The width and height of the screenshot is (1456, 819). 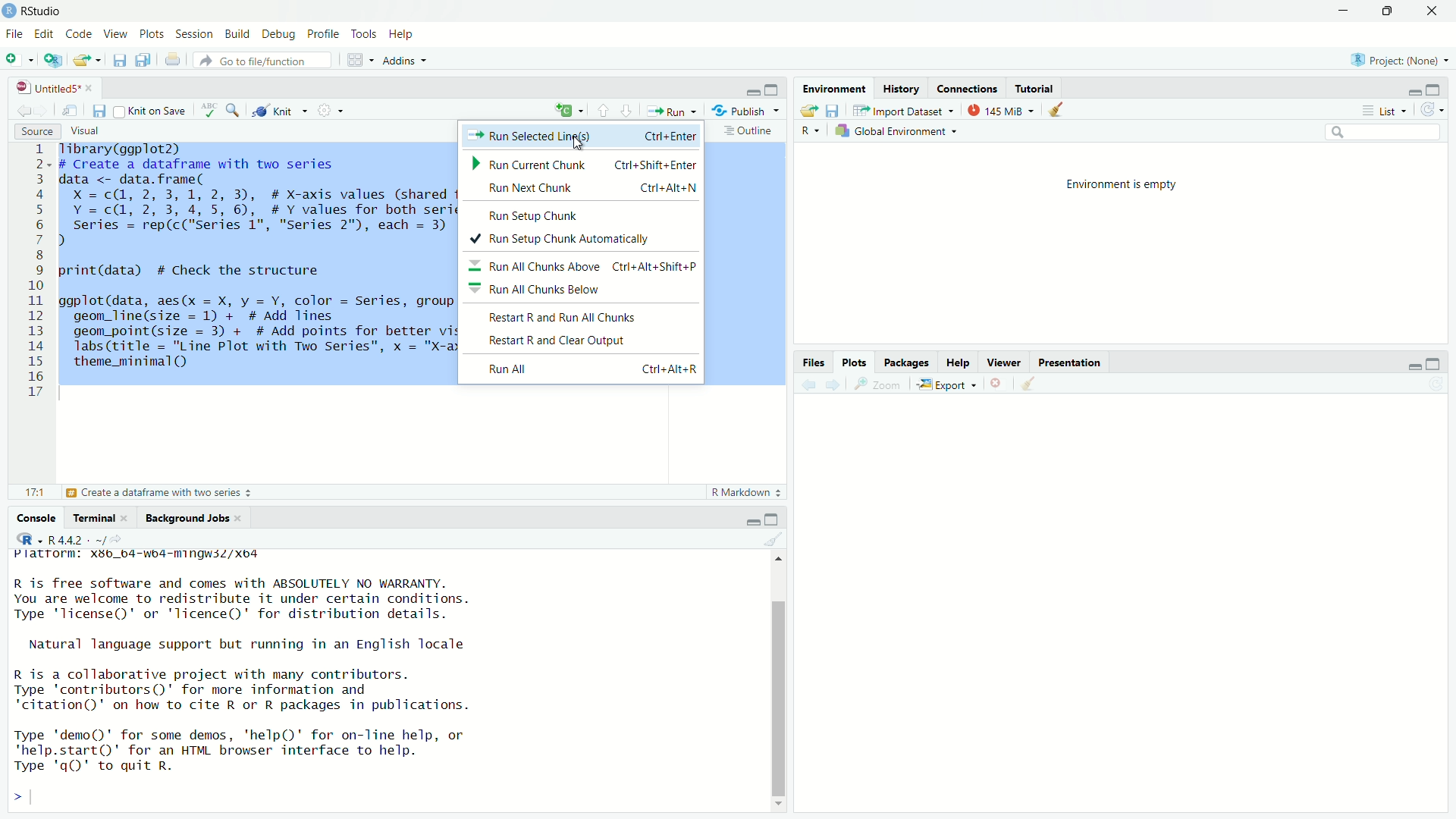 What do you see at coordinates (538, 289) in the screenshot?
I see `Run all chunks below` at bounding box center [538, 289].